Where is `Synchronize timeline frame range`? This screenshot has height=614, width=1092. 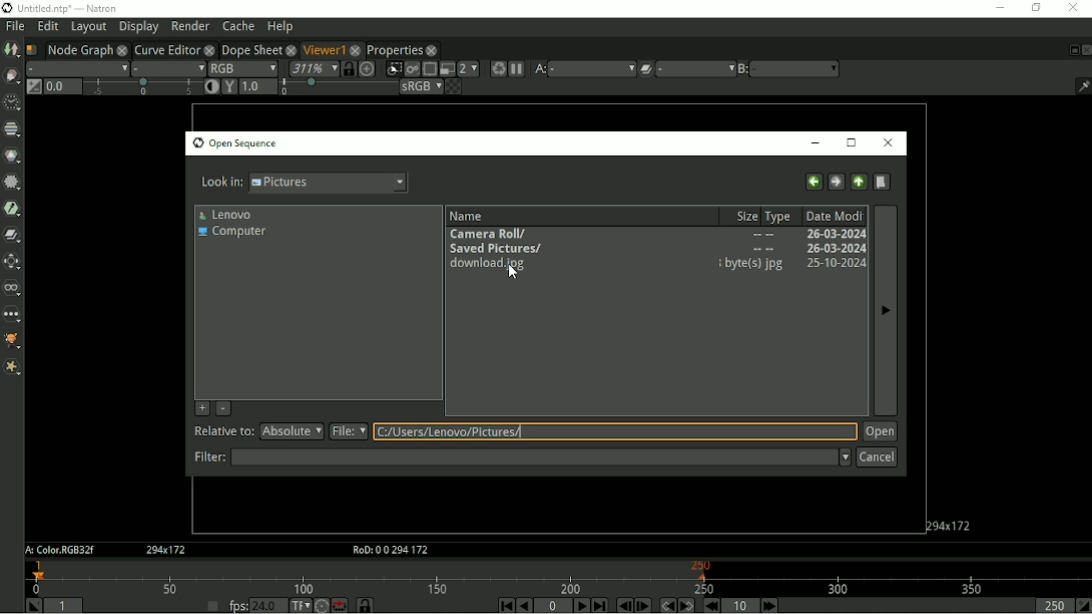
Synchronize timeline frame range is located at coordinates (364, 605).